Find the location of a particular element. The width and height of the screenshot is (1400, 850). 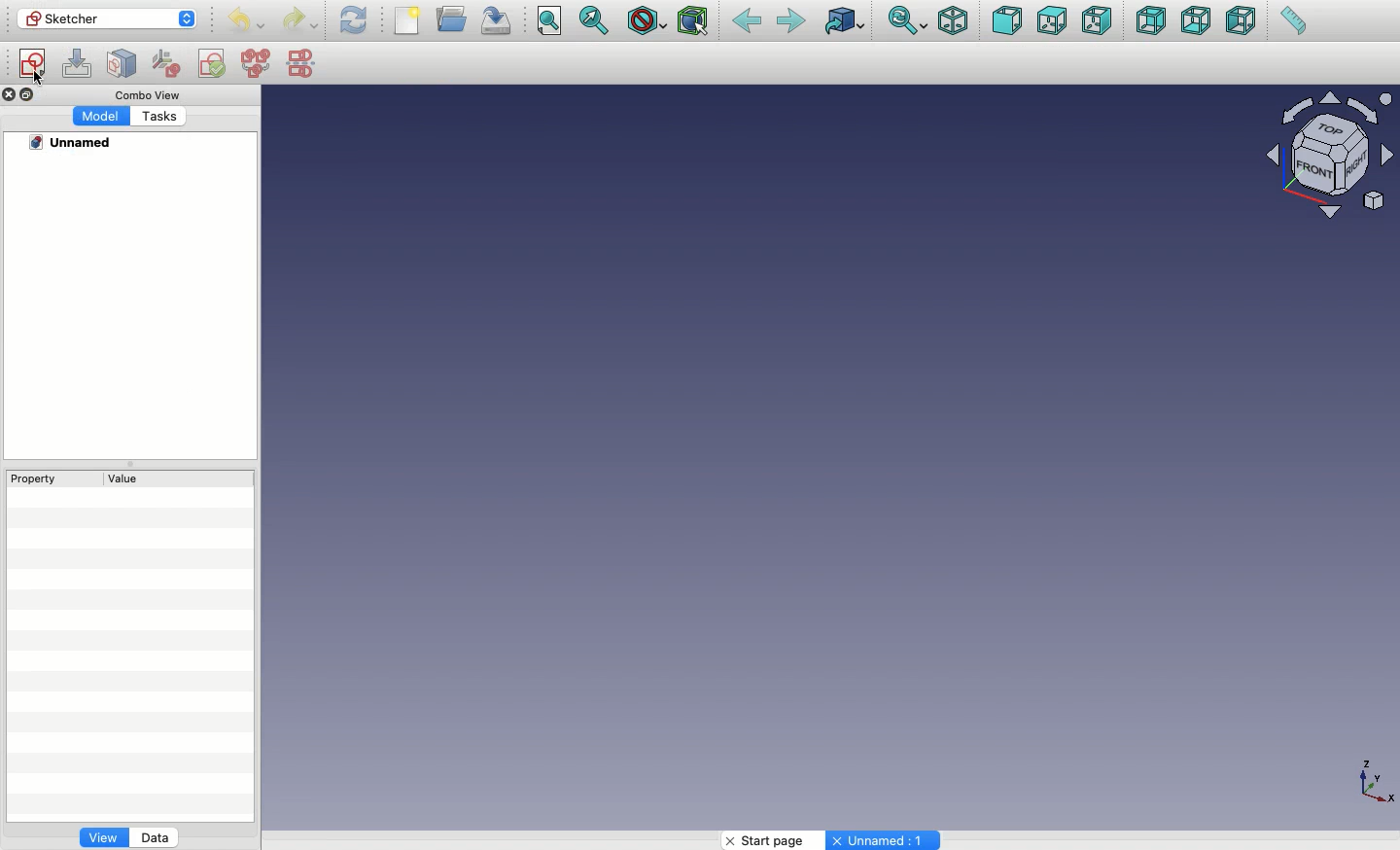

Value is located at coordinates (118, 480).